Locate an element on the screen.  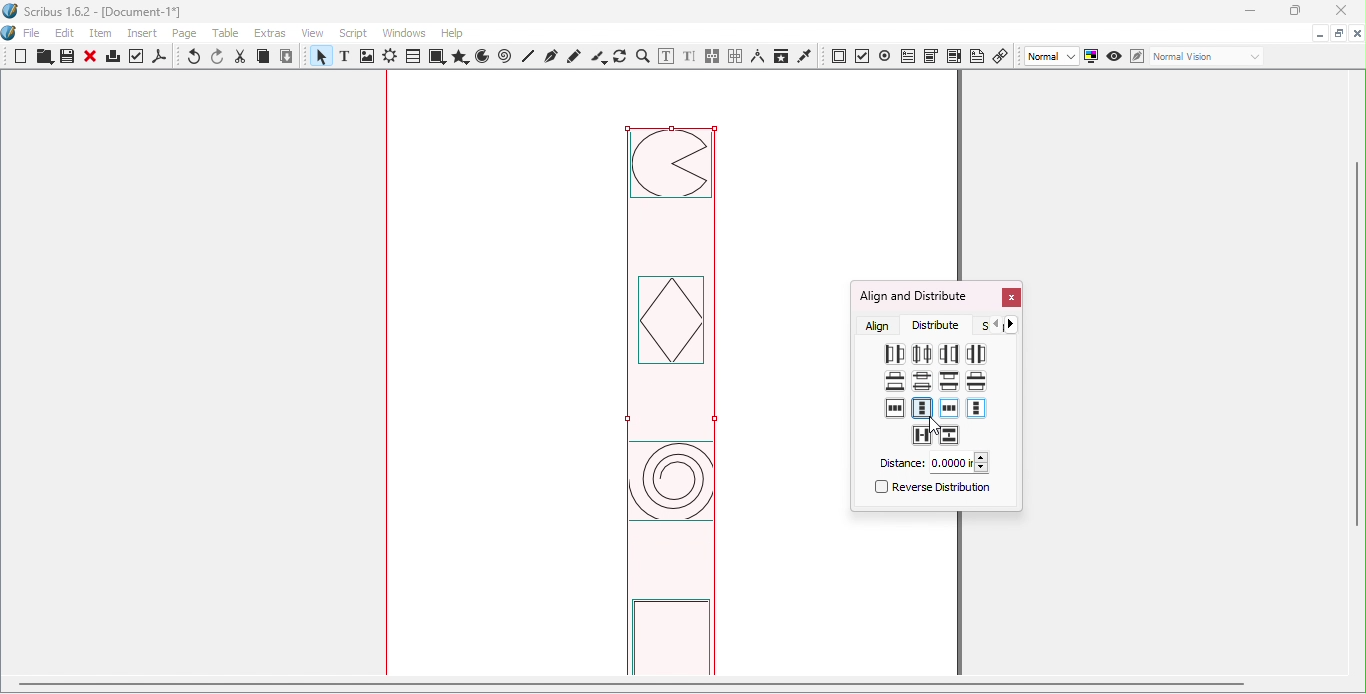
Extras is located at coordinates (273, 33).